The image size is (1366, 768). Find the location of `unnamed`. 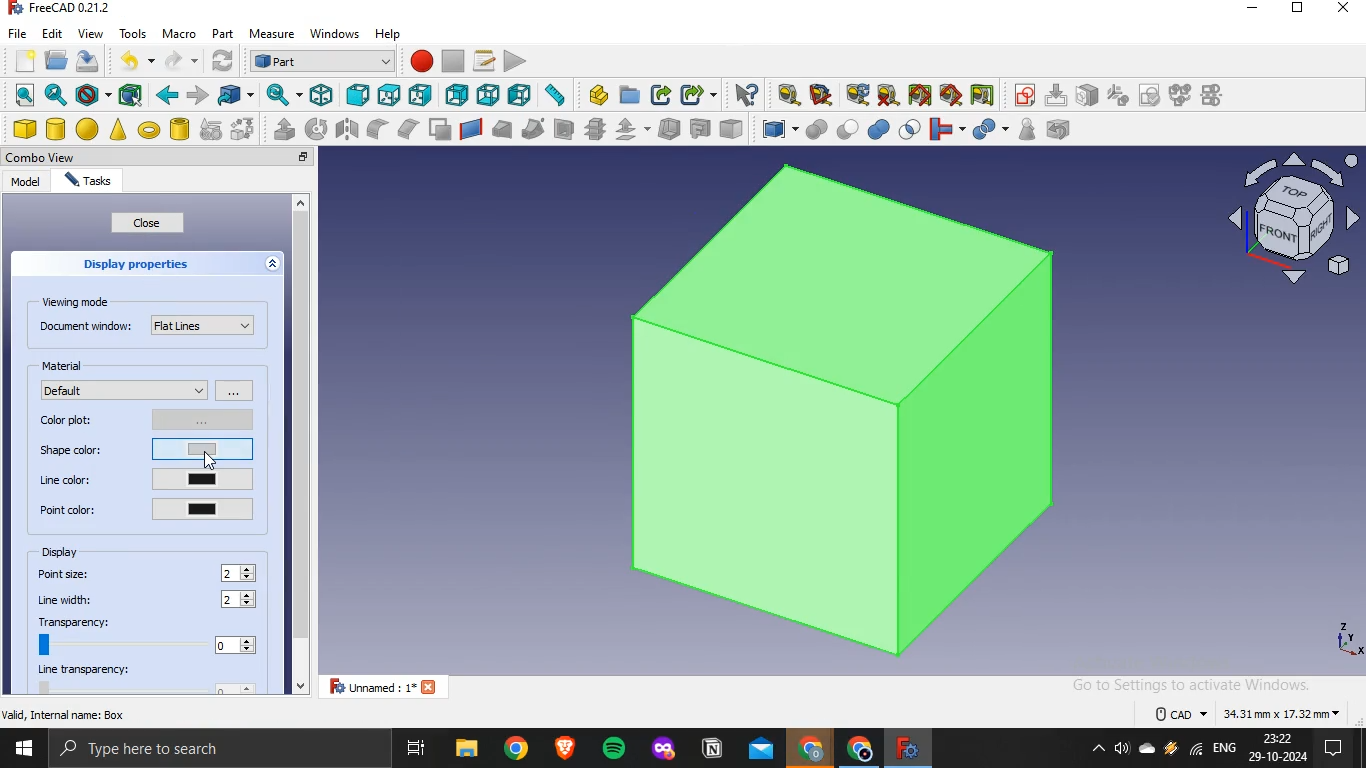

unnamed is located at coordinates (389, 686).